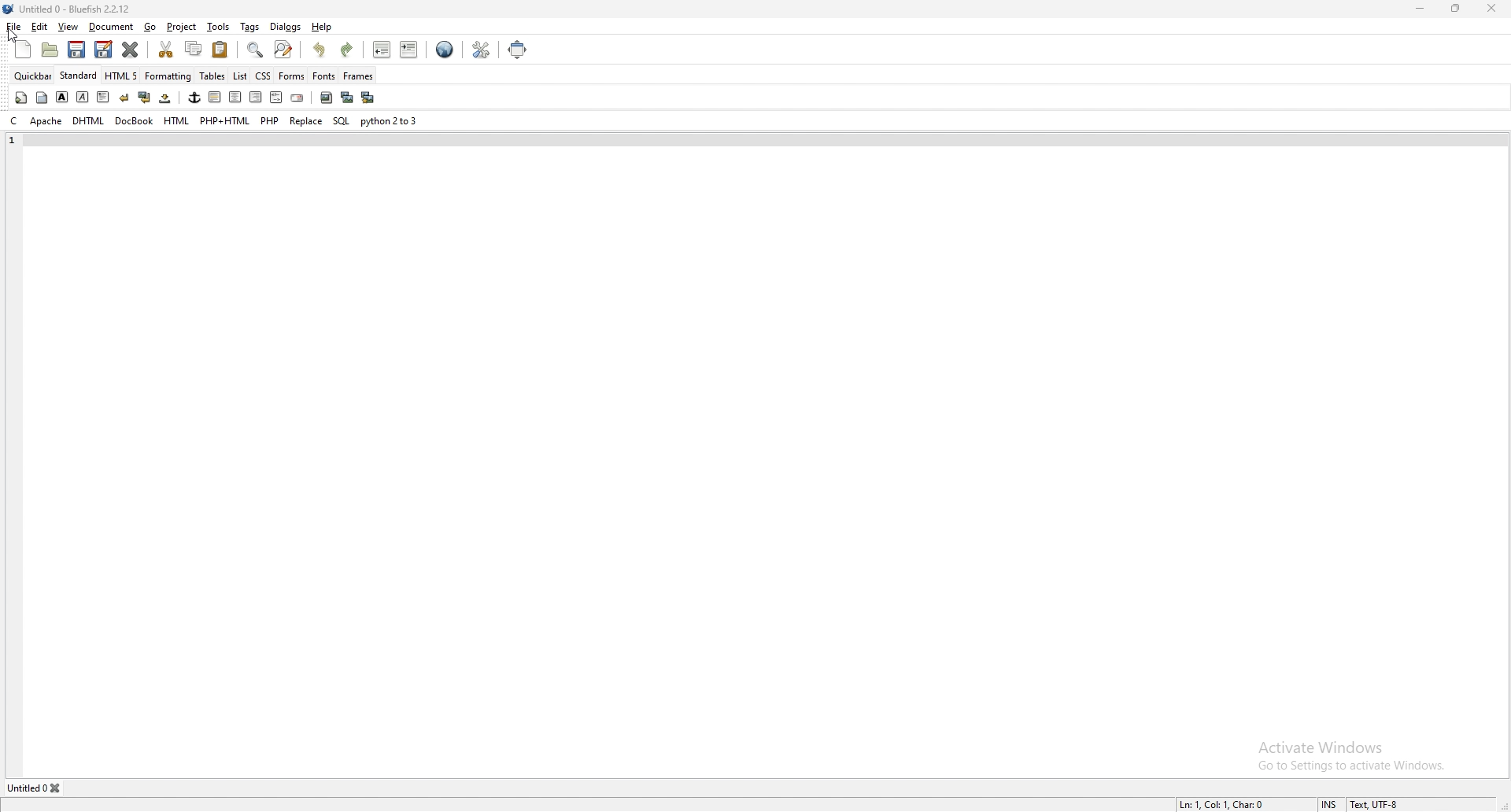 The height and width of the screenshot is (812, 1511). Describe the element at coordinates (342, 120) in the screenshot. I see `sql` at that location.